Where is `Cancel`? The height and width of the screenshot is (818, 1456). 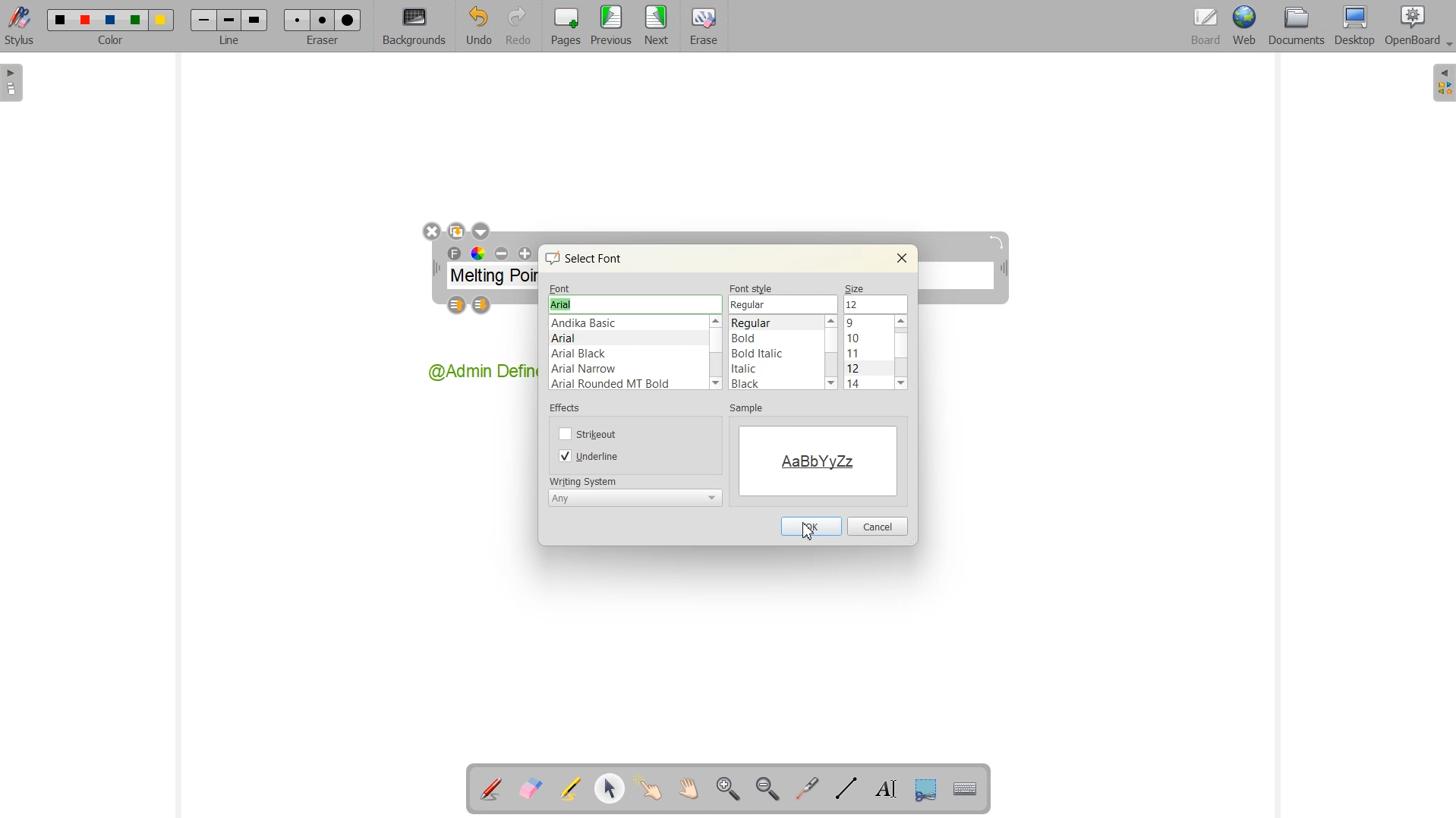
Cancel is located at coordinates (878, 527).